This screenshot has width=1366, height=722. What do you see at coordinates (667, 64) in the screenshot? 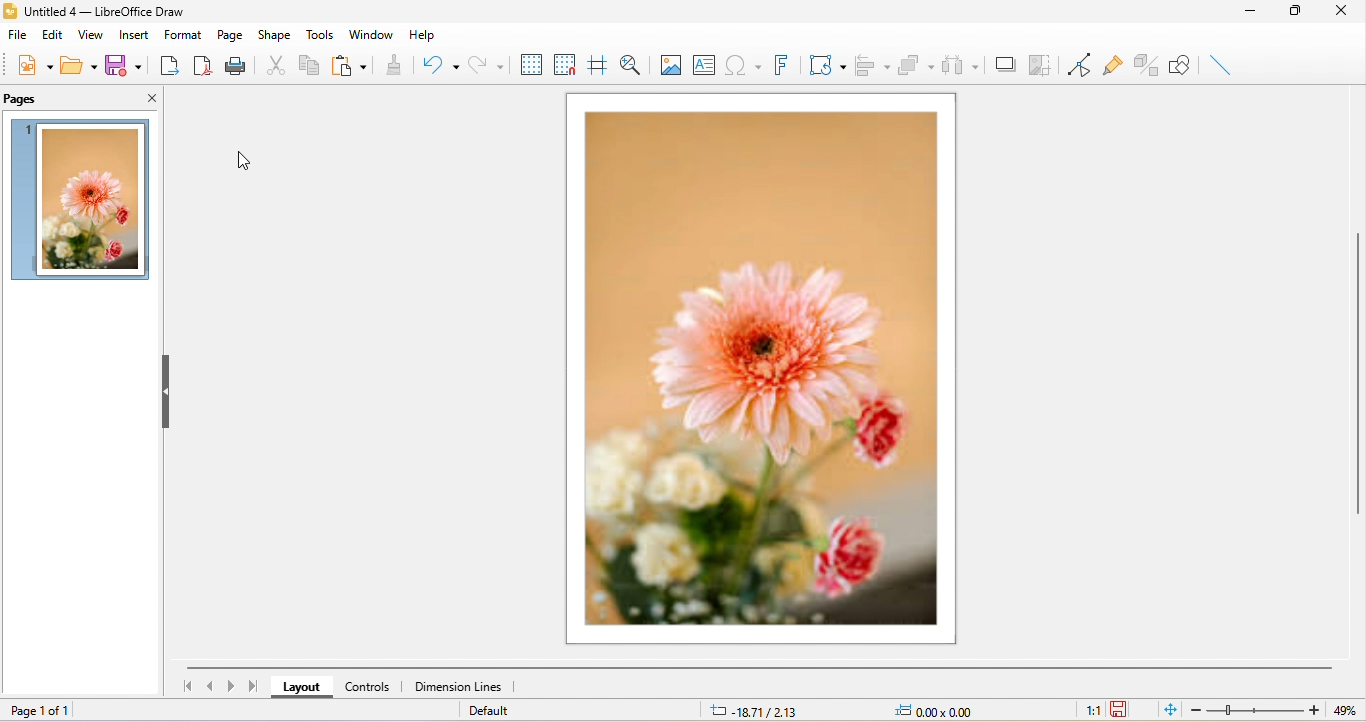
I see `image` at bounding box center [667, 64].